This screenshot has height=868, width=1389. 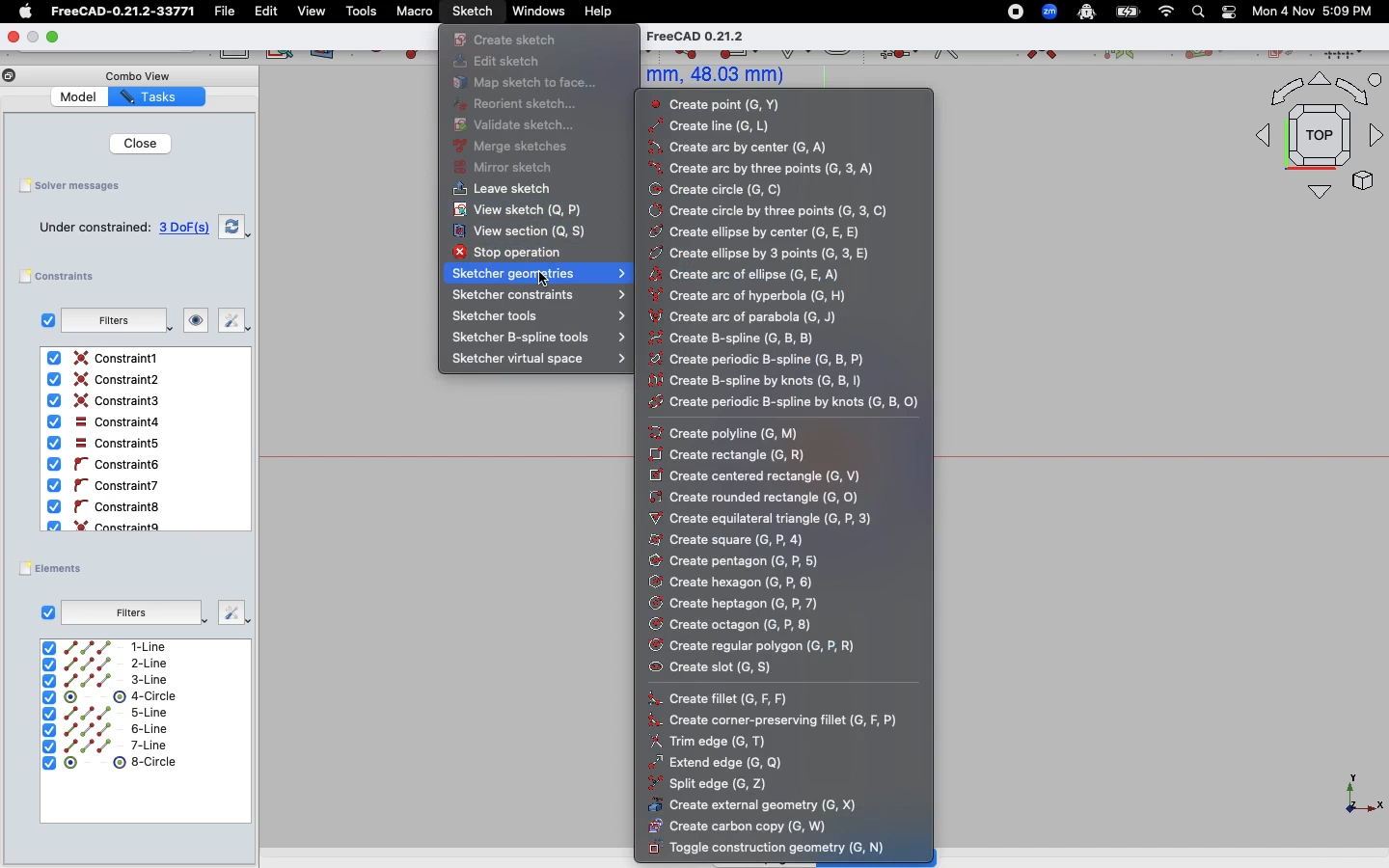 I want to click on 4 Create polyline (G, M), so click(x=737, y=432).